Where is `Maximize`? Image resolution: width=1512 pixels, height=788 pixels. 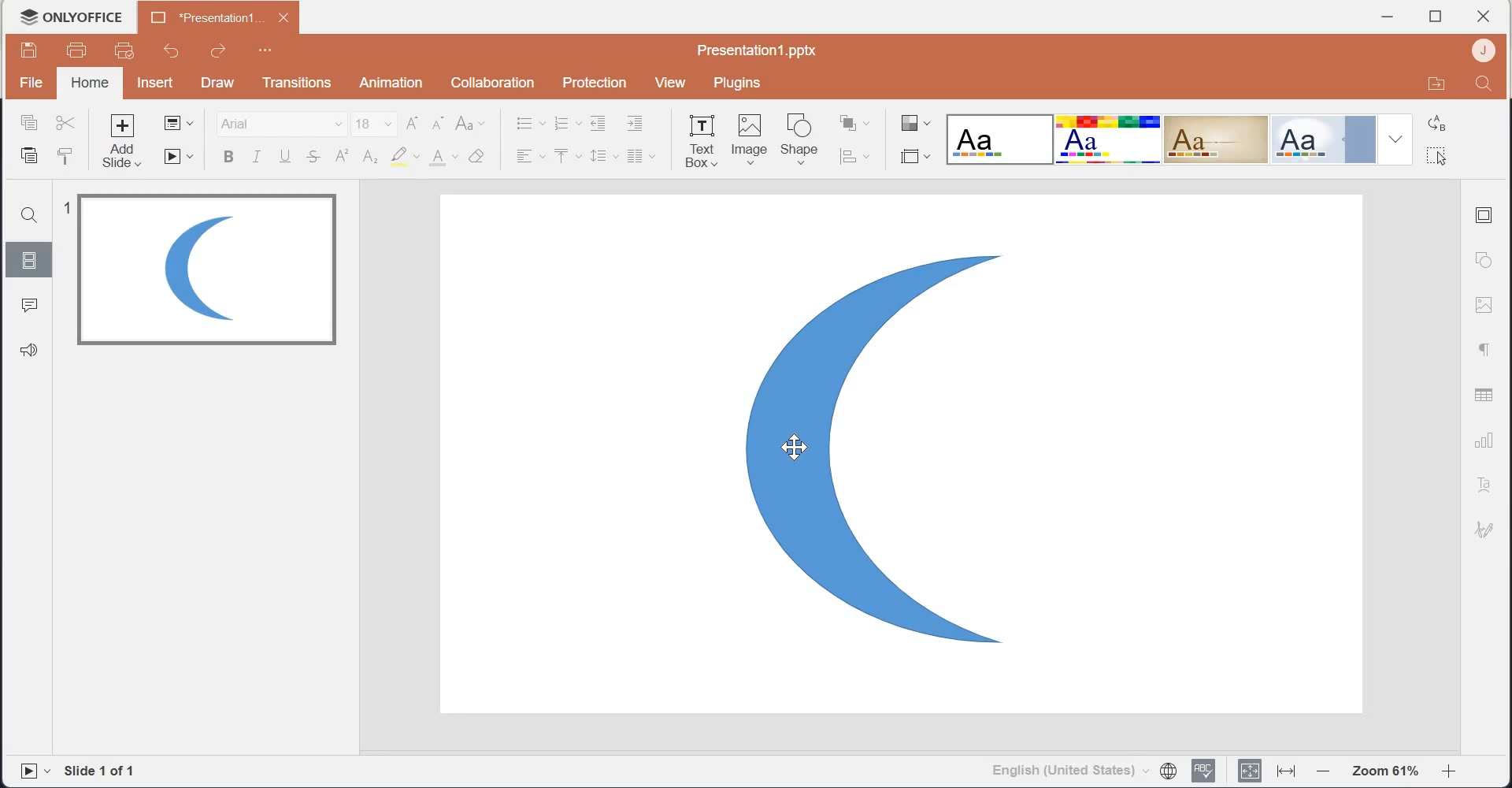
Maximize is located at coordinates (1436, 17).